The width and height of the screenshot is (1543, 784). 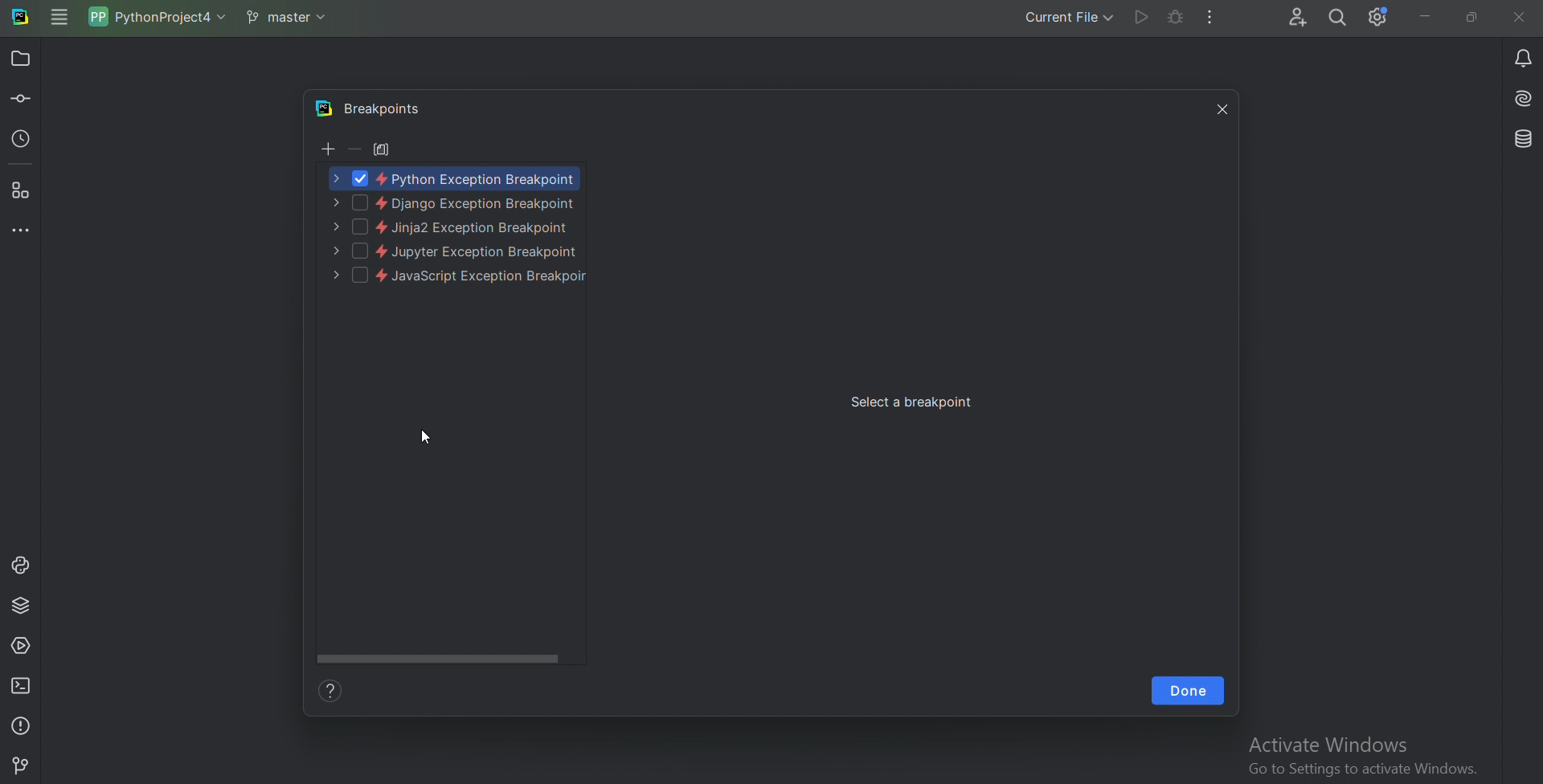 What do you see at coordinates (22, 763) in the screenshot?
I see `Git` at bounding box center [22, 763].